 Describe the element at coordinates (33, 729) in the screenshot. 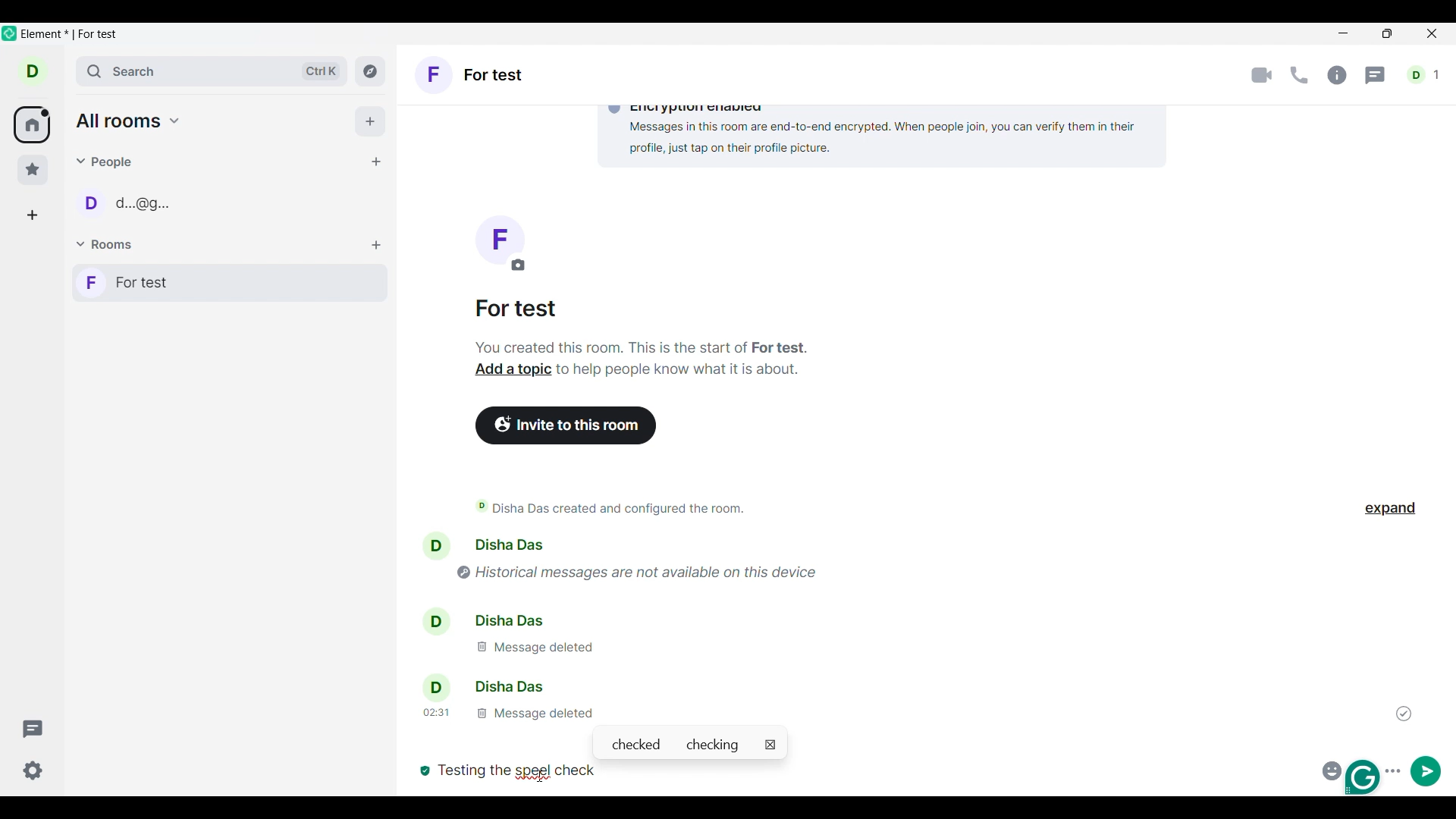

I see `Threads` at that location.